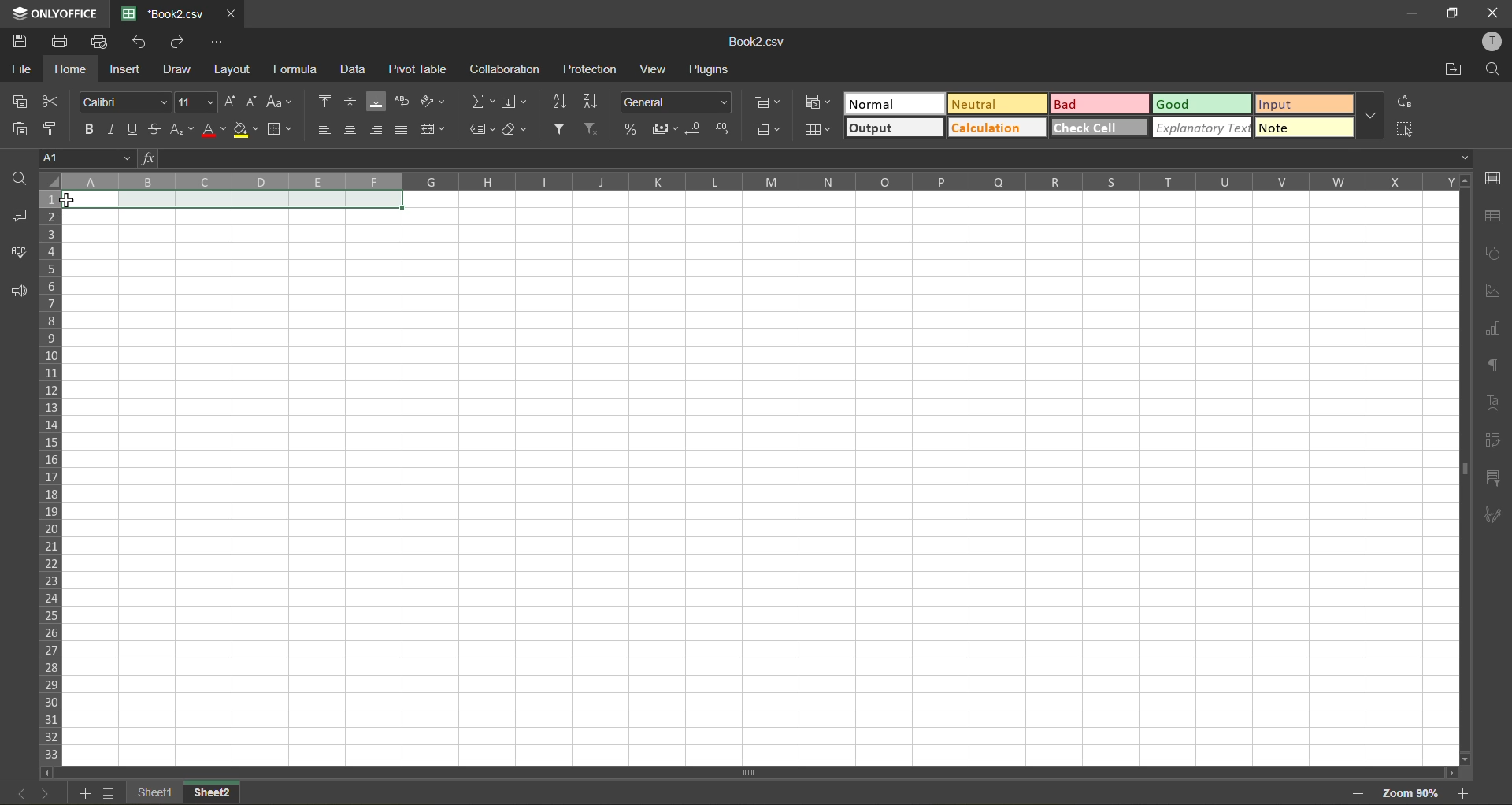 This screenshot has height=805, width=1512. What do you see at coordinates (57, 101) in the screenshot?
I see `cut` at bounding box center [57, 101].